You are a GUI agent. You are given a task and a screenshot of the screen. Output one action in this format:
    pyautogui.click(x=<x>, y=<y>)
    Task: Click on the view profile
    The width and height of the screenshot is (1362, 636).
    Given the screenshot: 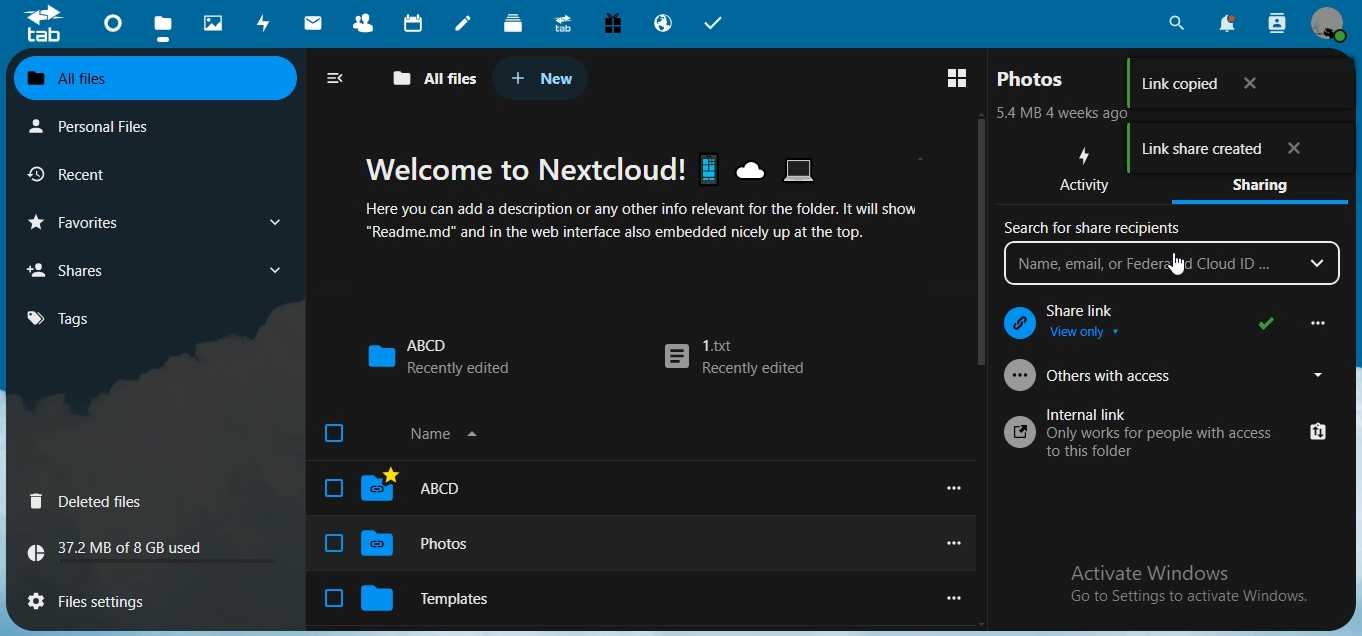 What is the action you would take?
    pyautogui.click(x=1334, y=24)
    